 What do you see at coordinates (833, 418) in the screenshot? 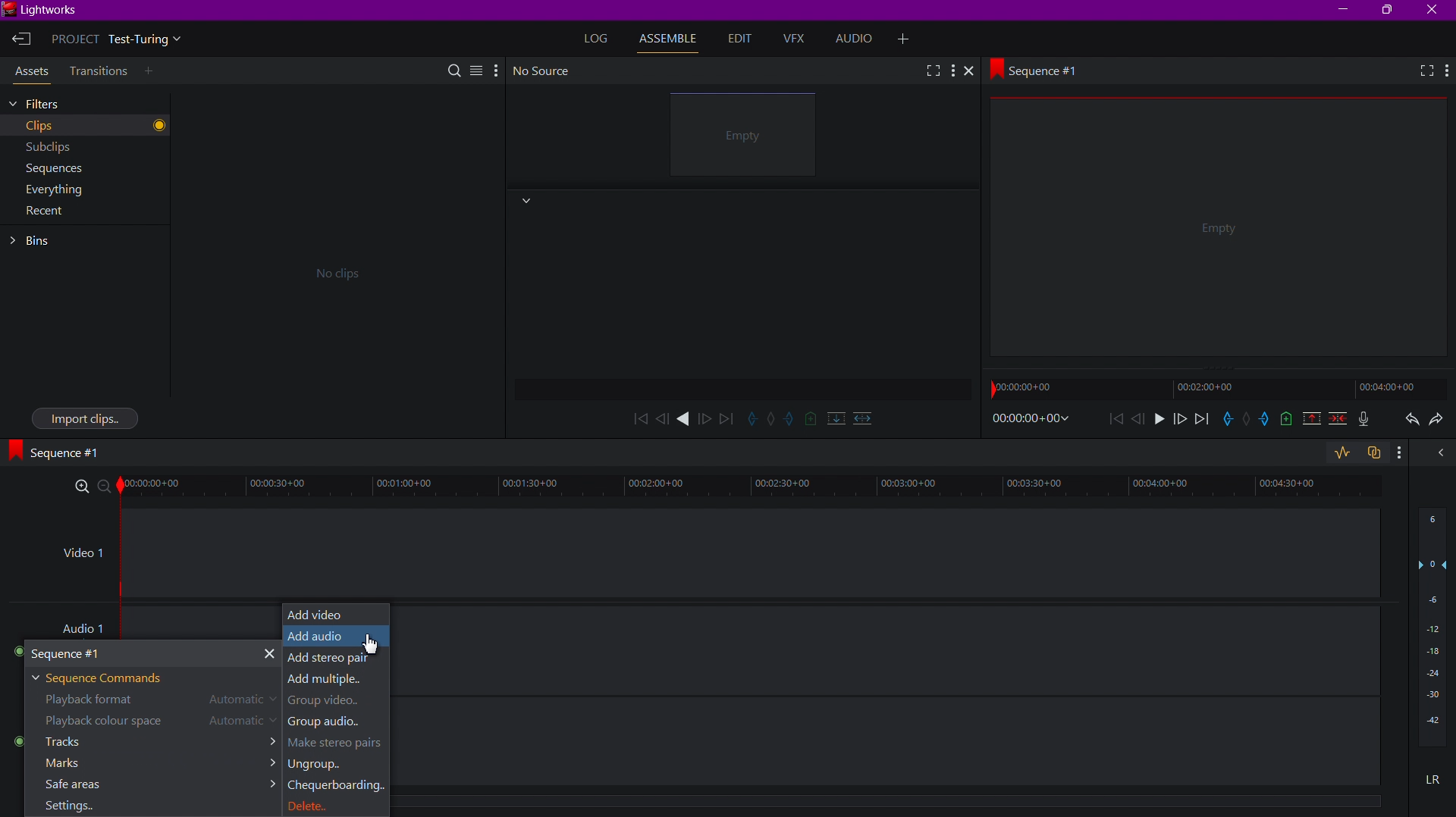
I see `vertical break` at bounding box center [833, 418].